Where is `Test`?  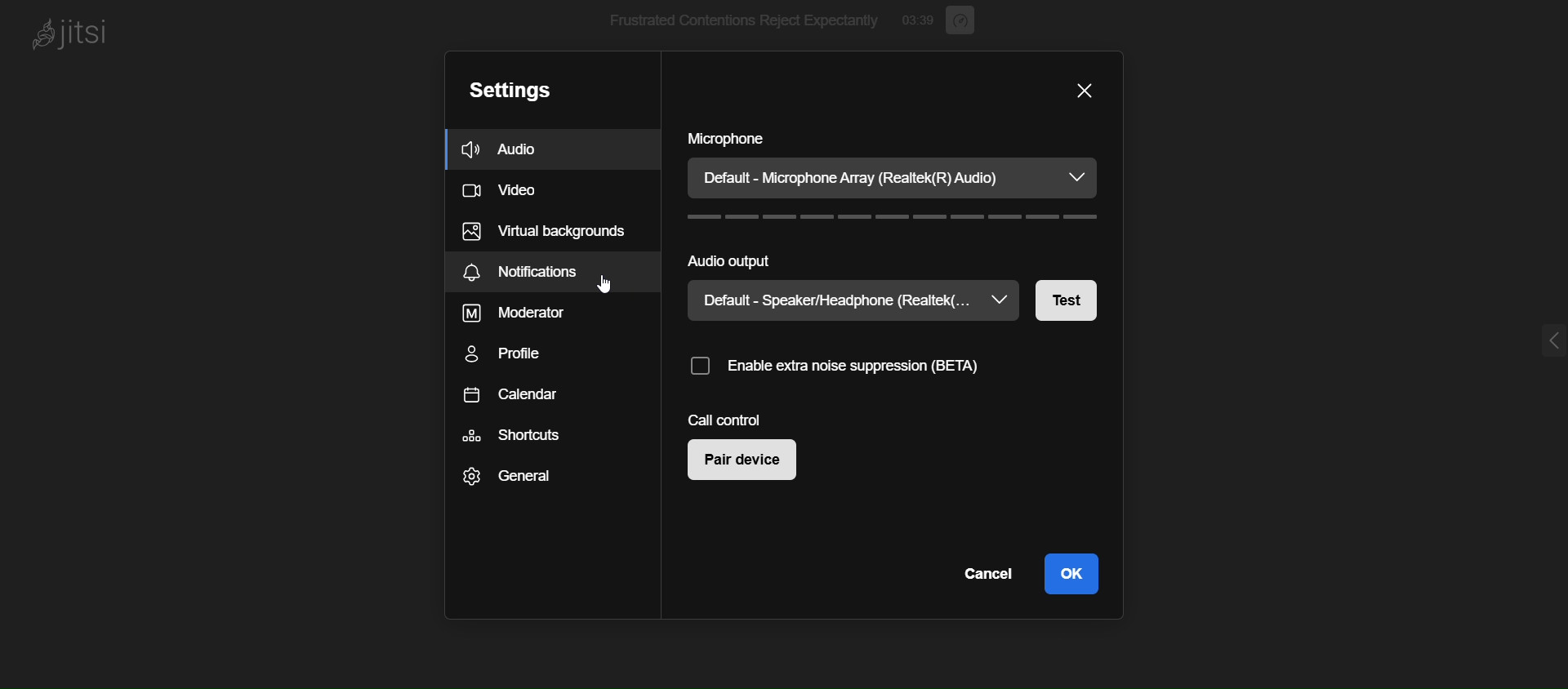
Test is located at coordinates (1065, 299).